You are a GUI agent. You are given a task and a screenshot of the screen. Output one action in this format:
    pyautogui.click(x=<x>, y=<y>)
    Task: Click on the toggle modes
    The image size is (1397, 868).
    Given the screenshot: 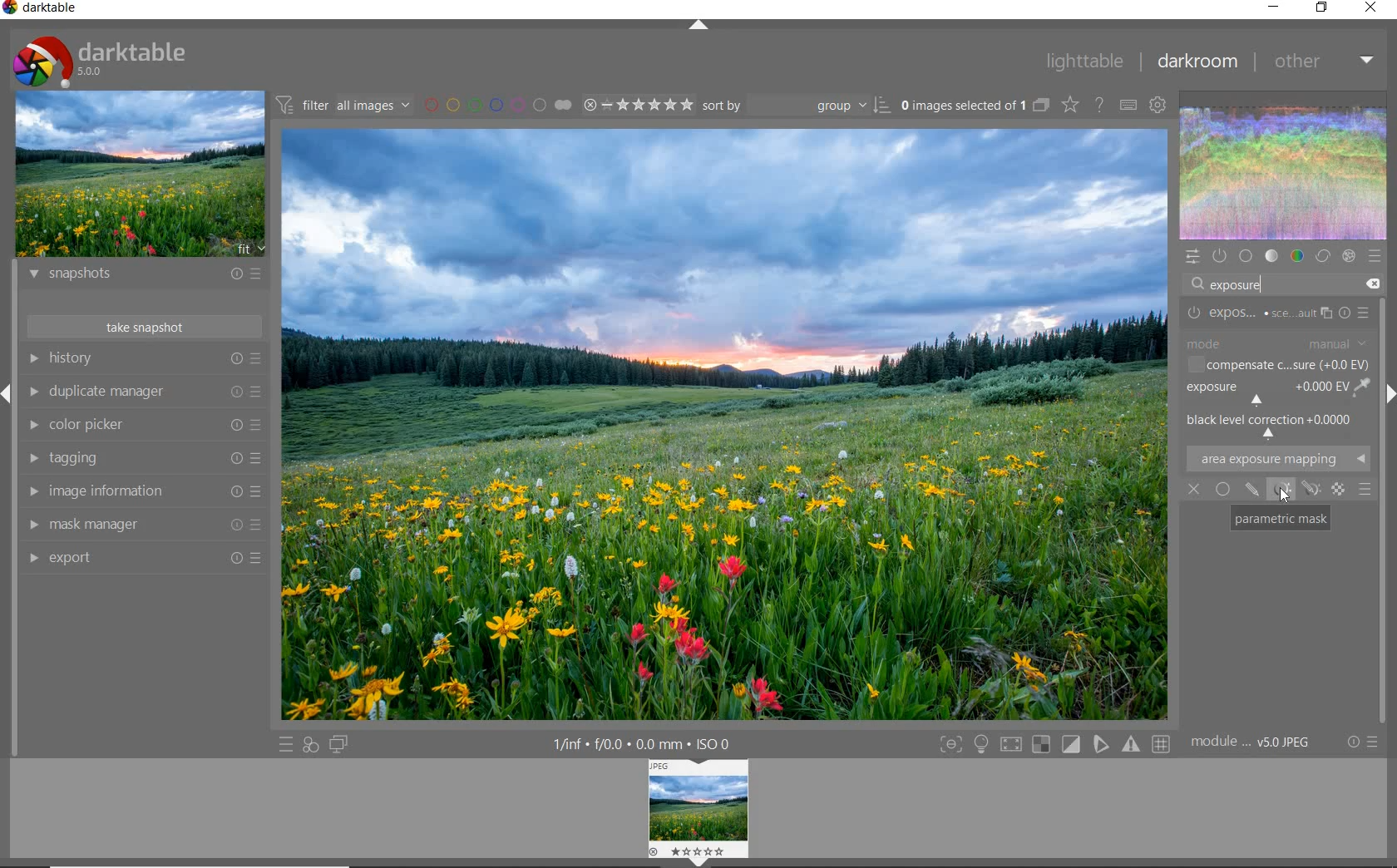 What is the action you would take?
    pyautogui.click(x=1055, y=745)
    